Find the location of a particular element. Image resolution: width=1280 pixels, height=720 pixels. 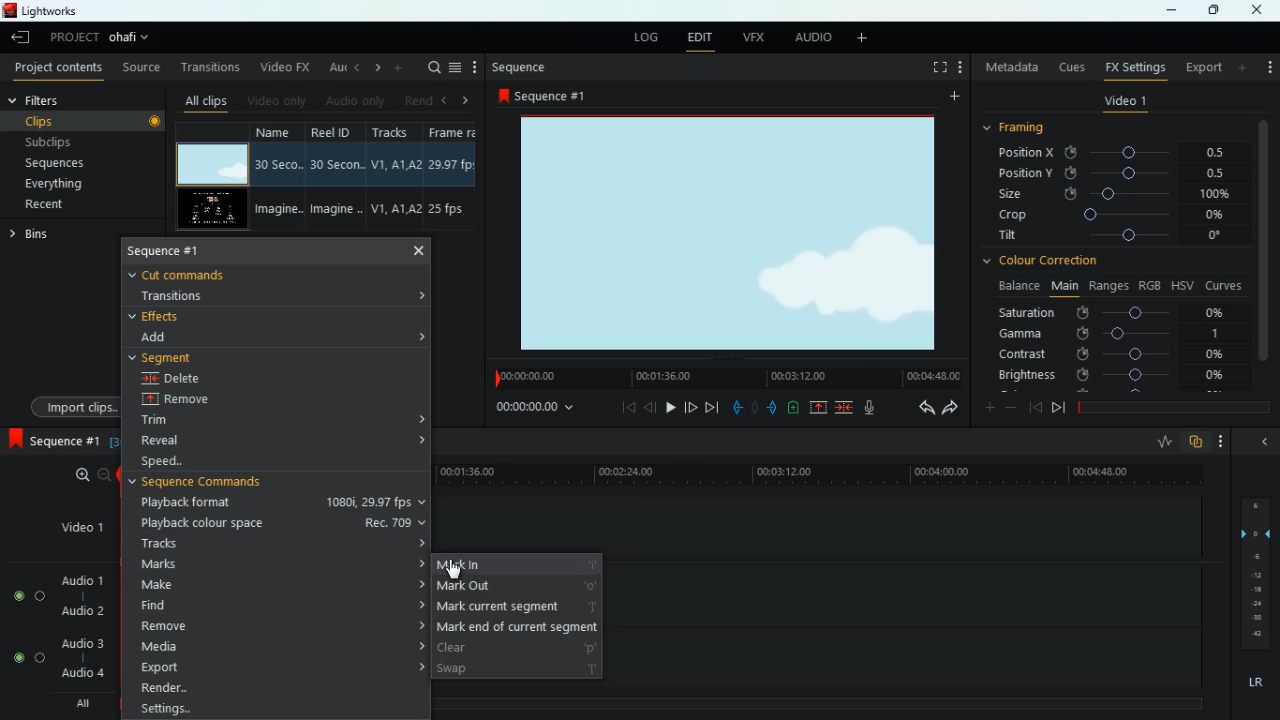

add is located at coordinates (170, 338).